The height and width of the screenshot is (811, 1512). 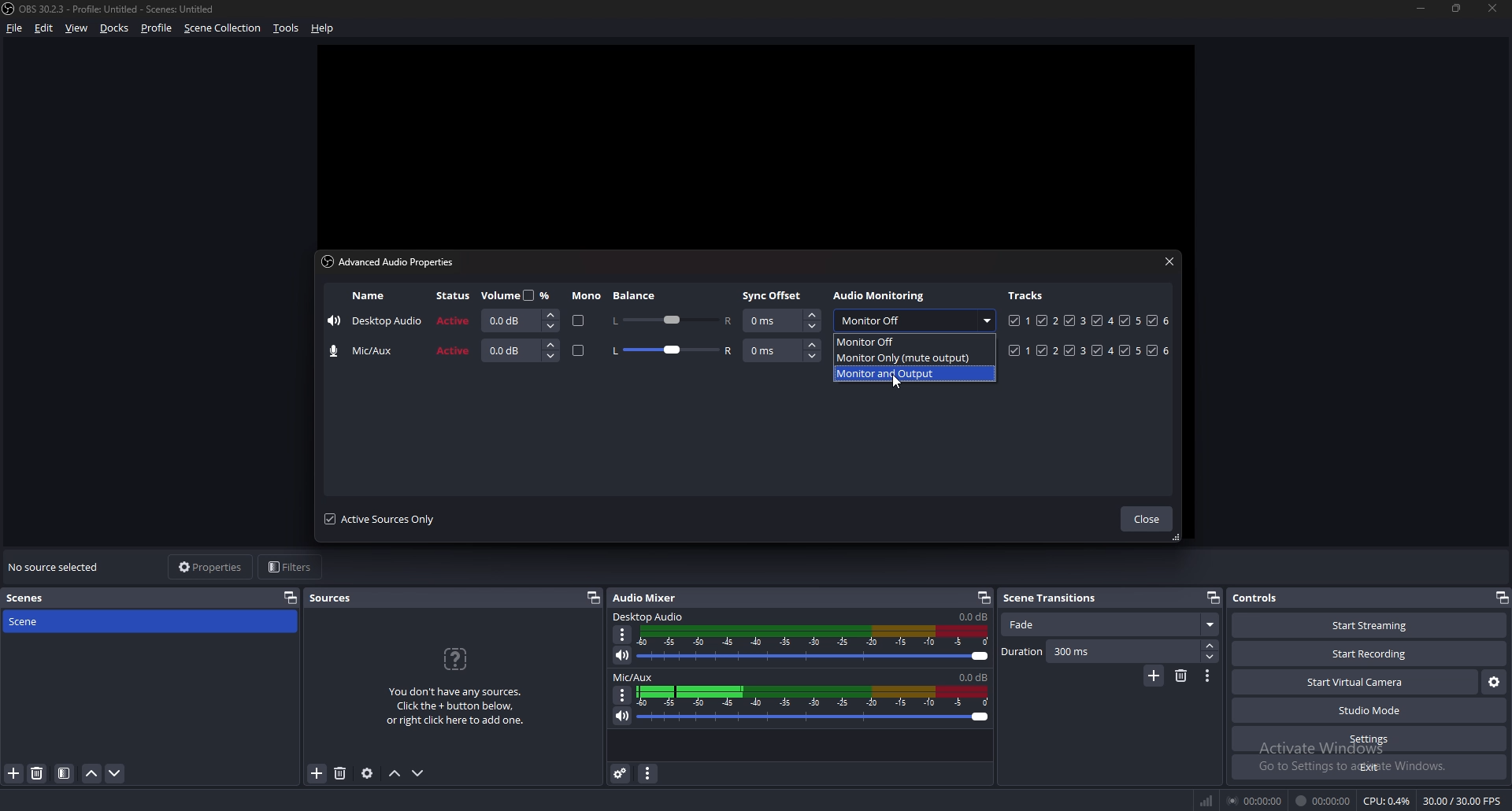 What do you see at coordinates (671, 319) in the screenshot?
I see `balance adjust` at bounding box center [671, 319].